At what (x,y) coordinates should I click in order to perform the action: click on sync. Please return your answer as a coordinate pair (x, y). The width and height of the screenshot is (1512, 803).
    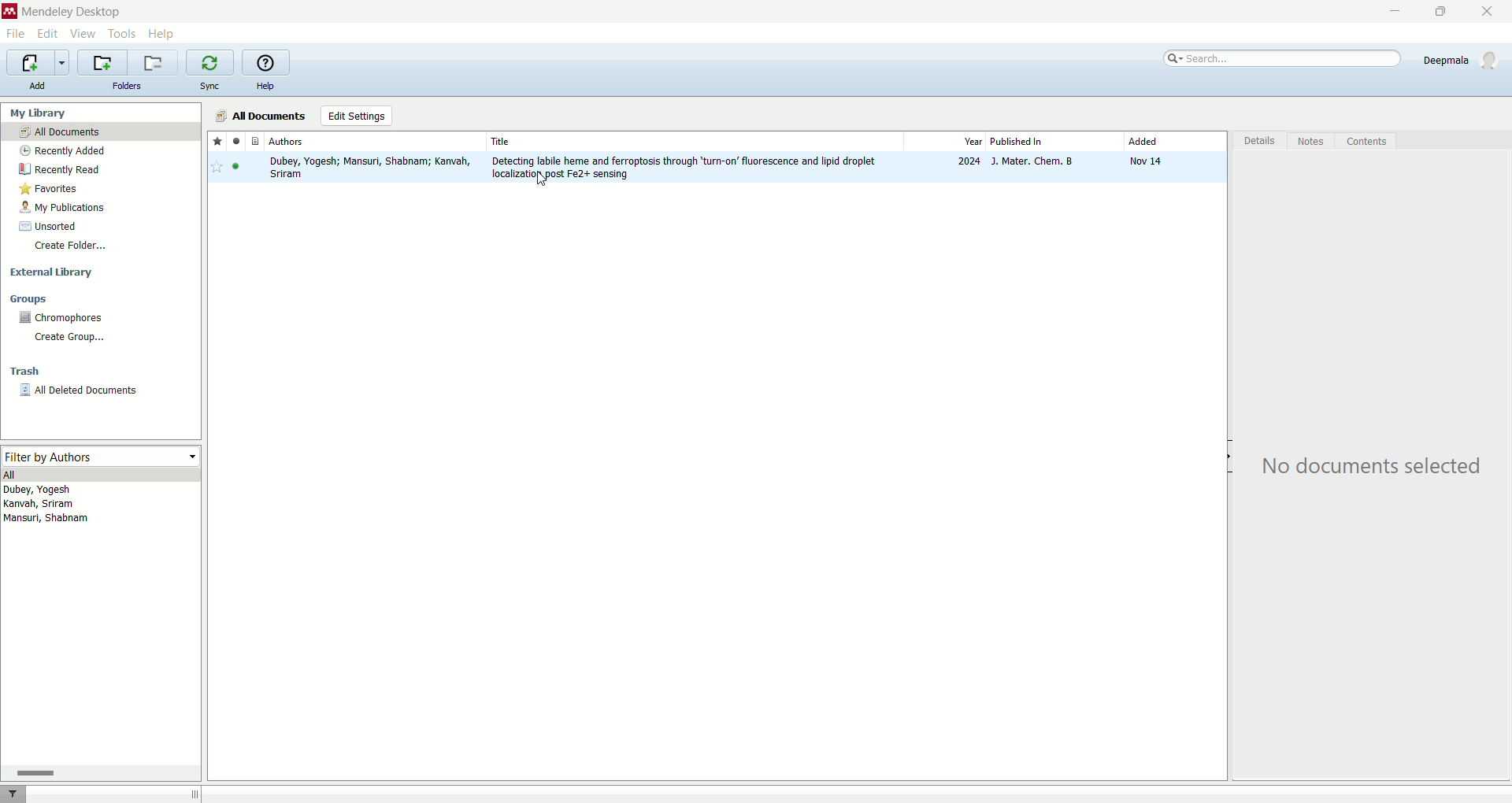
    Looking at the image, I should click on (209, 88).